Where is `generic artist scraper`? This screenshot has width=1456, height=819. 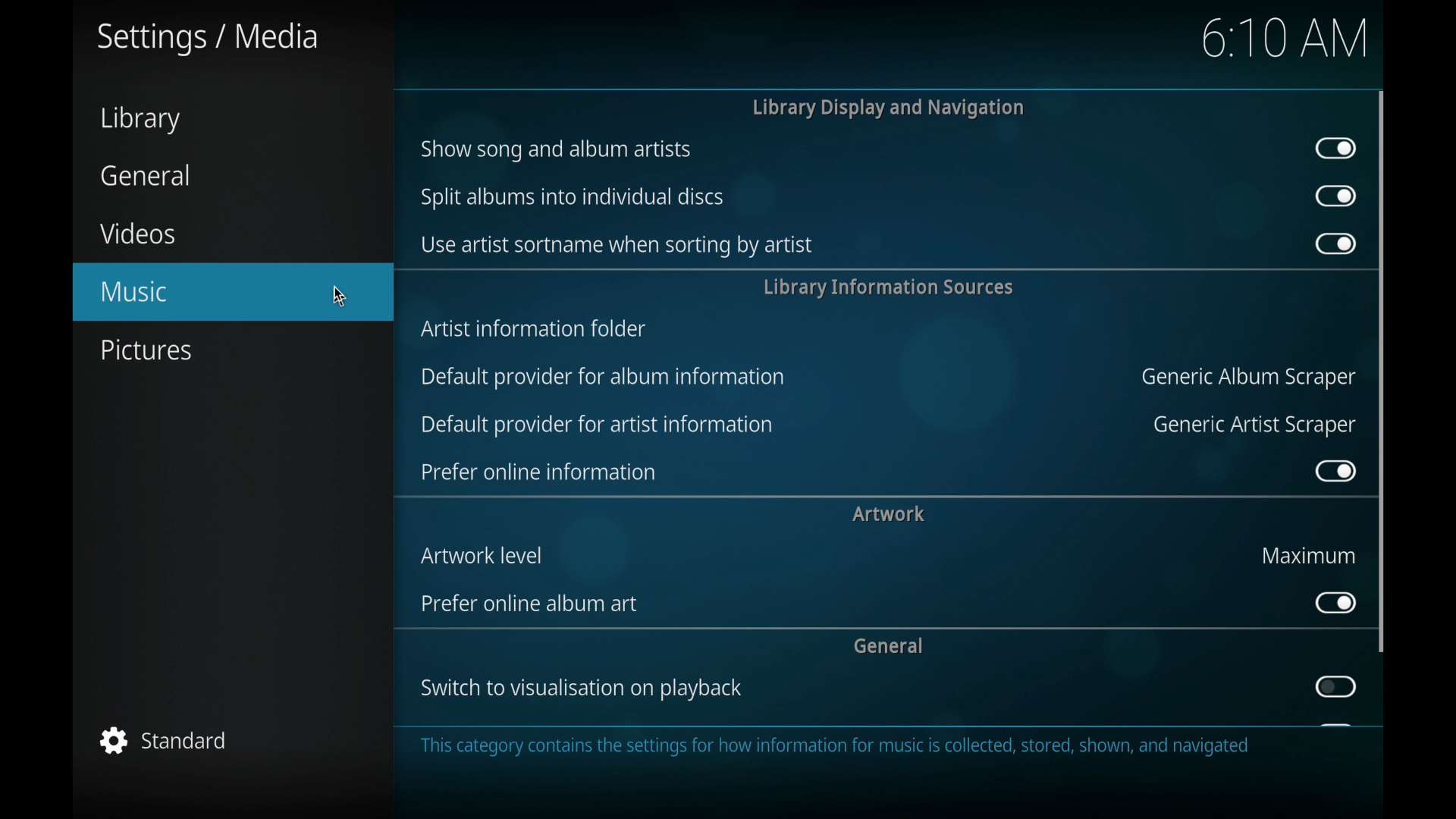 generic artist scraper is located at coordinates (1255, 425).